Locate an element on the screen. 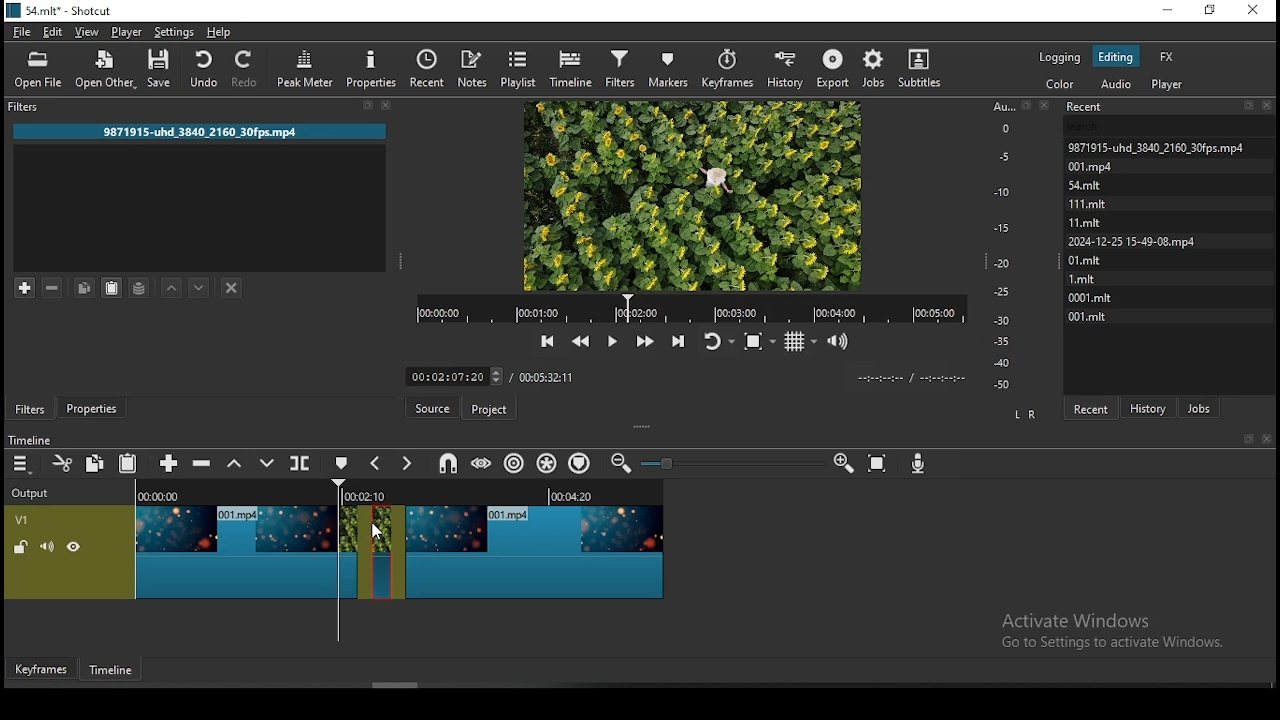 The image size is (1280, 720). timeline menu is located at coordinates (22, 465).